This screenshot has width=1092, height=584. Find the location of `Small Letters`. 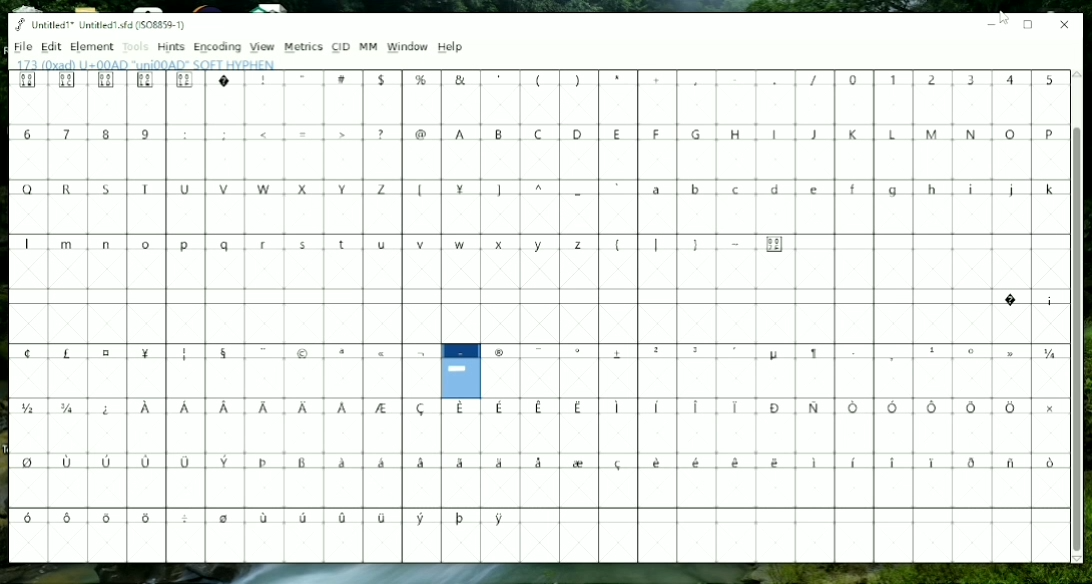

Small Letters is located at coordinates (304, 247).